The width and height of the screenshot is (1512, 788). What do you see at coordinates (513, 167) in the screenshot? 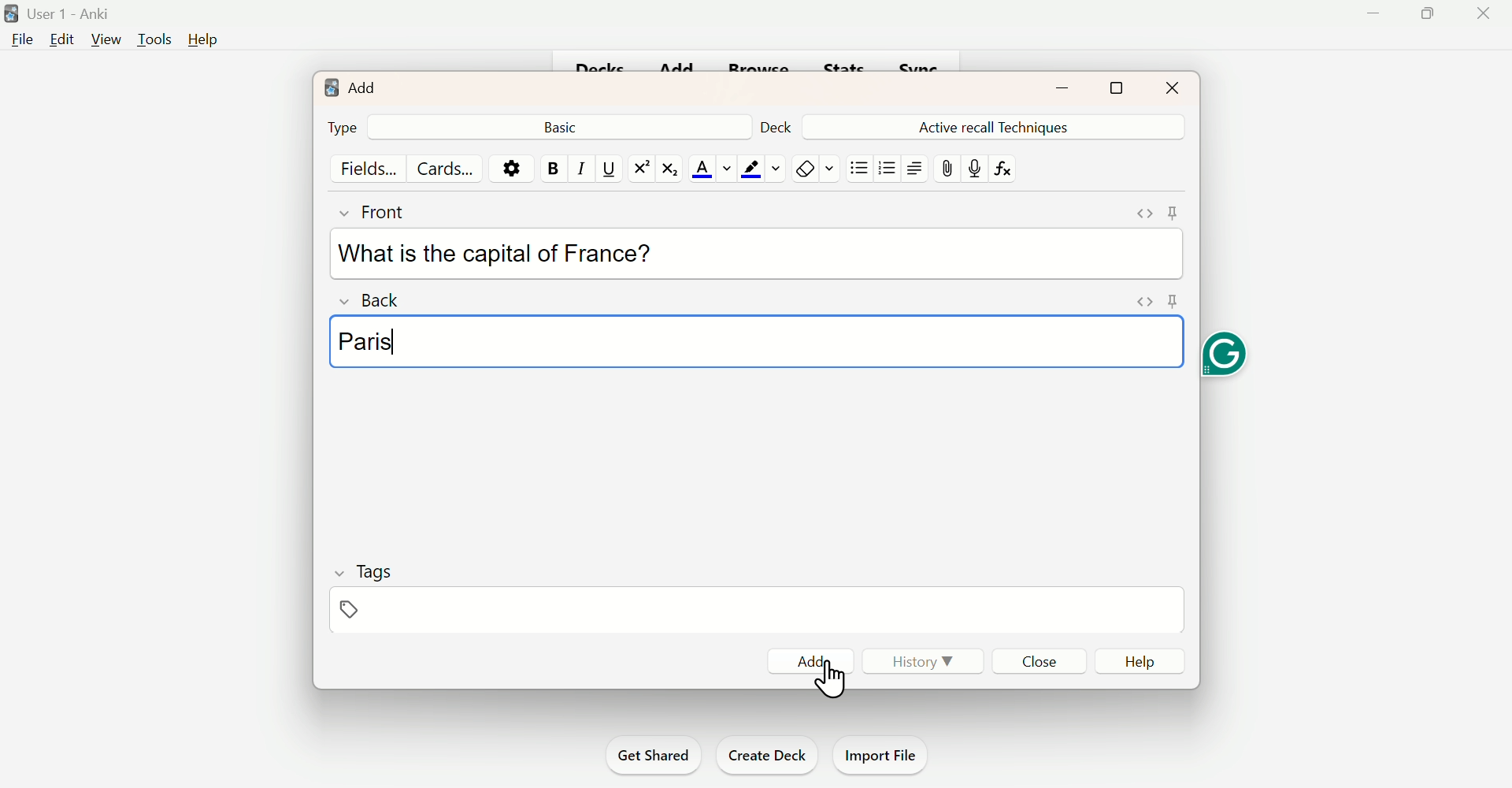
I see `Options` at bounding box center [513, 167].